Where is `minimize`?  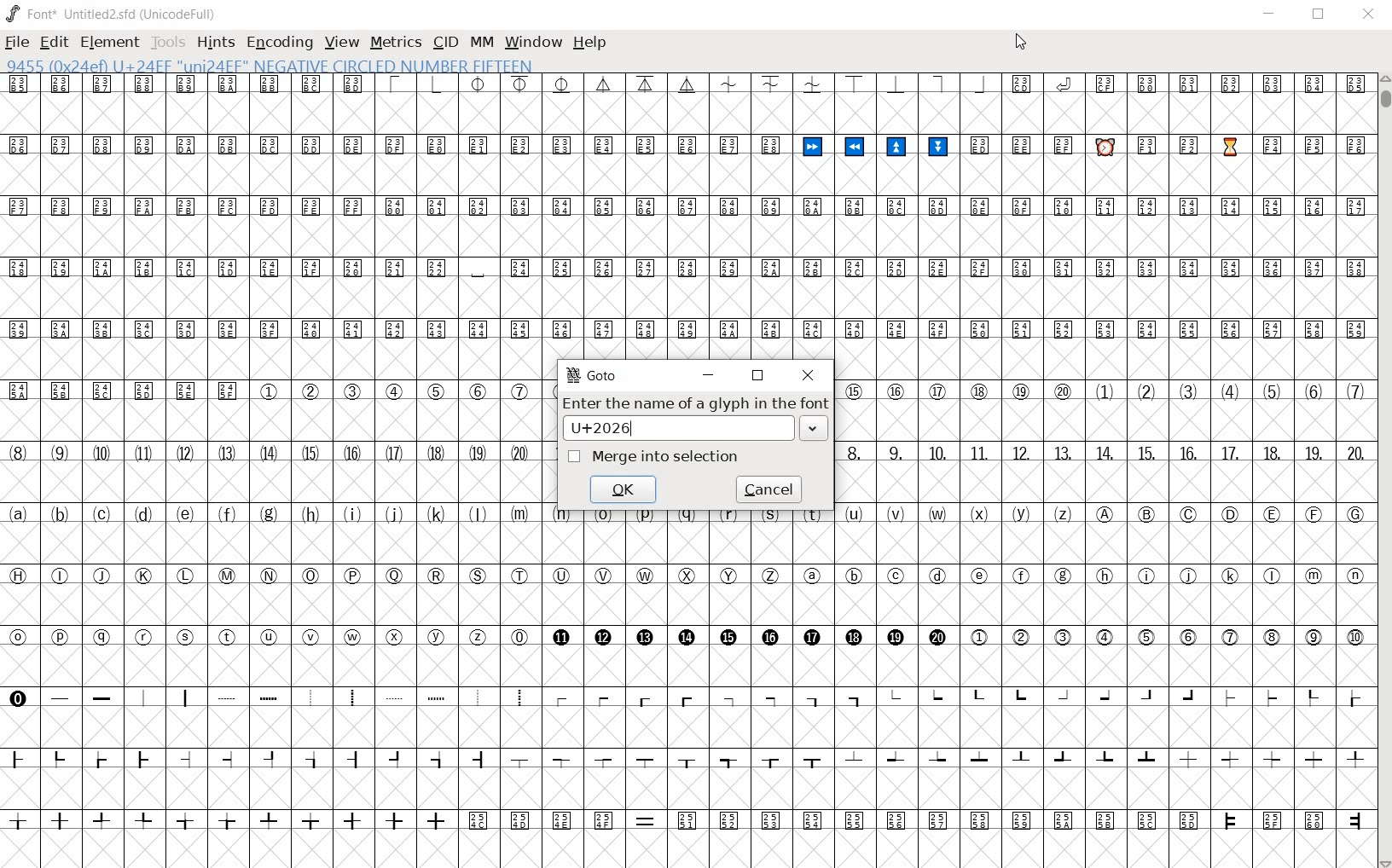 minimize is located at coordinates (709, 373).